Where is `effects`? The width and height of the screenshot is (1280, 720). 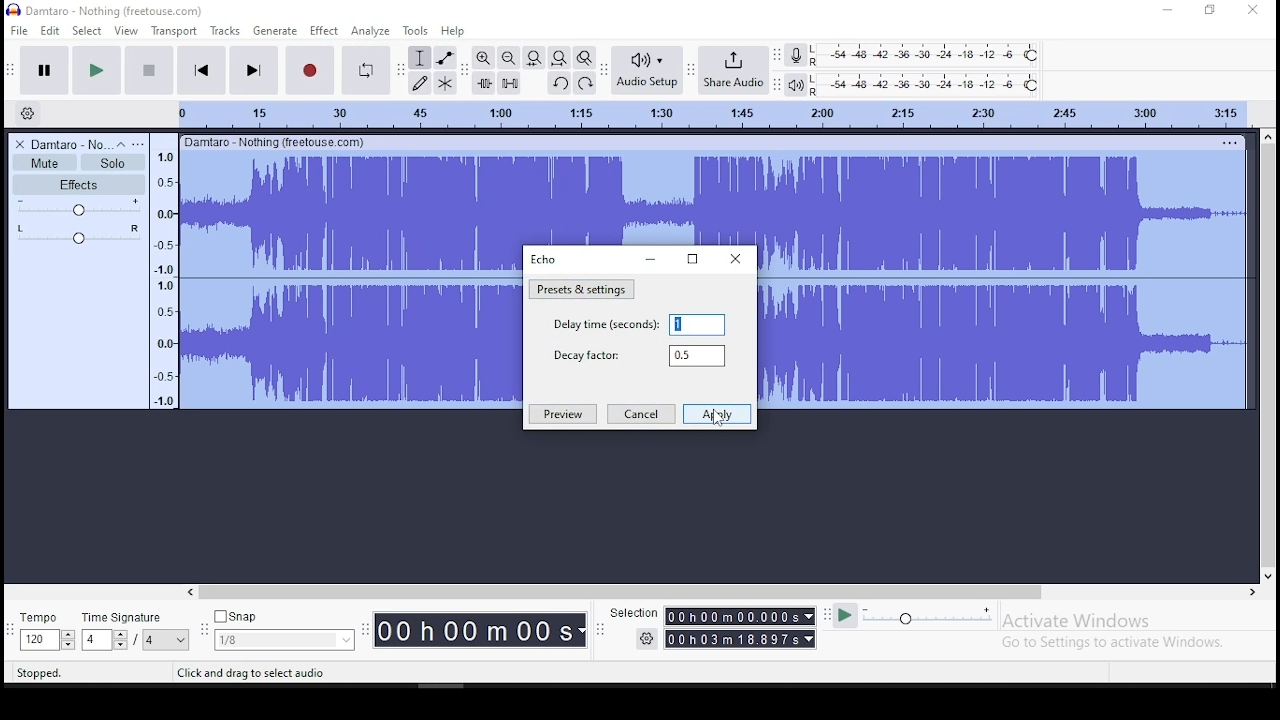 effects is located at coordinates (78, 184).